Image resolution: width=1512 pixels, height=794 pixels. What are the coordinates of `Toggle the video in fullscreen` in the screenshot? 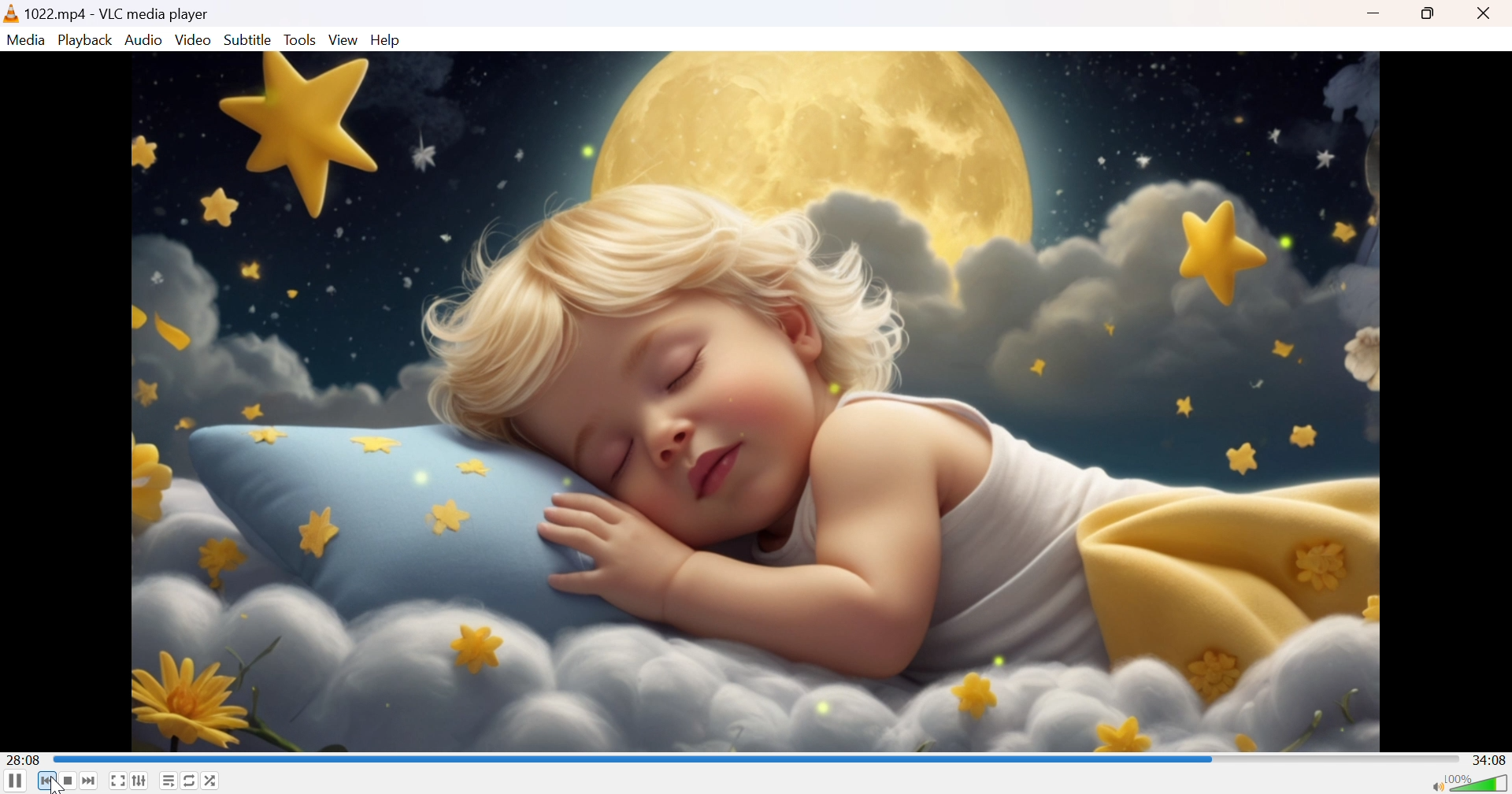 It's located at (117, 781).